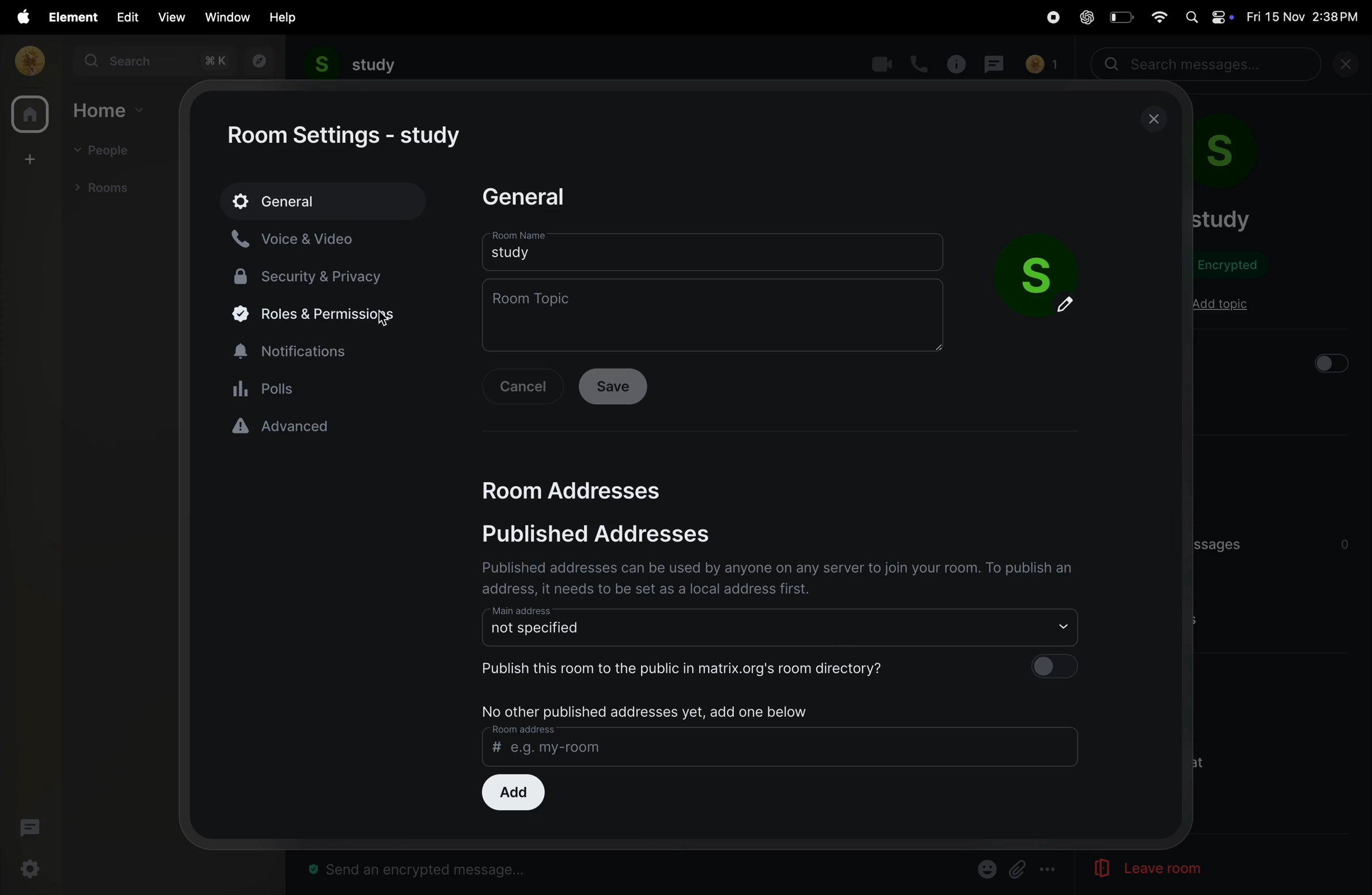  I want to click on battery, so click(1120, 17).